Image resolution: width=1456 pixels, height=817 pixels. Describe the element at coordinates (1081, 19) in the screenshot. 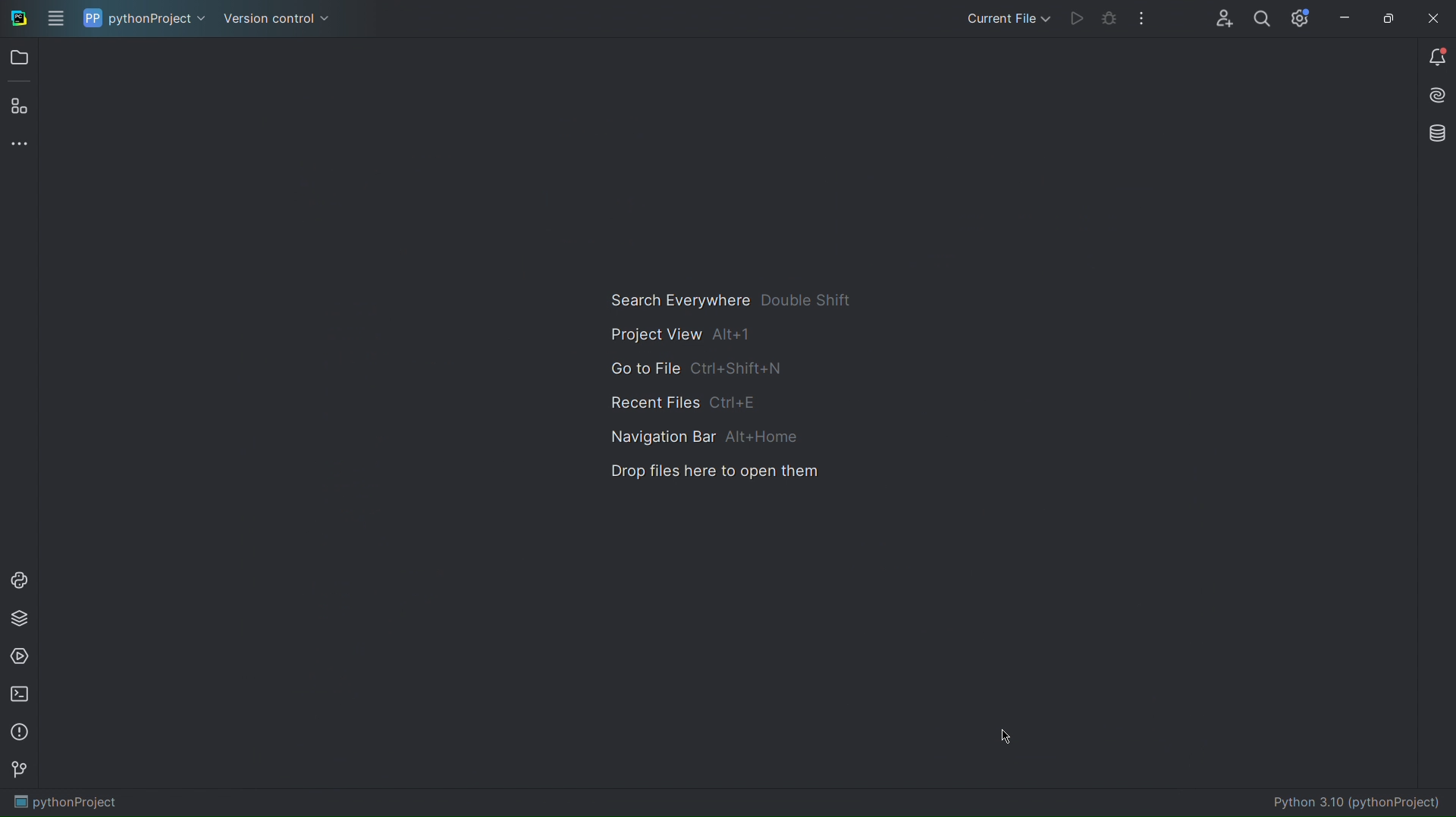

I see `Run Code` at that location.